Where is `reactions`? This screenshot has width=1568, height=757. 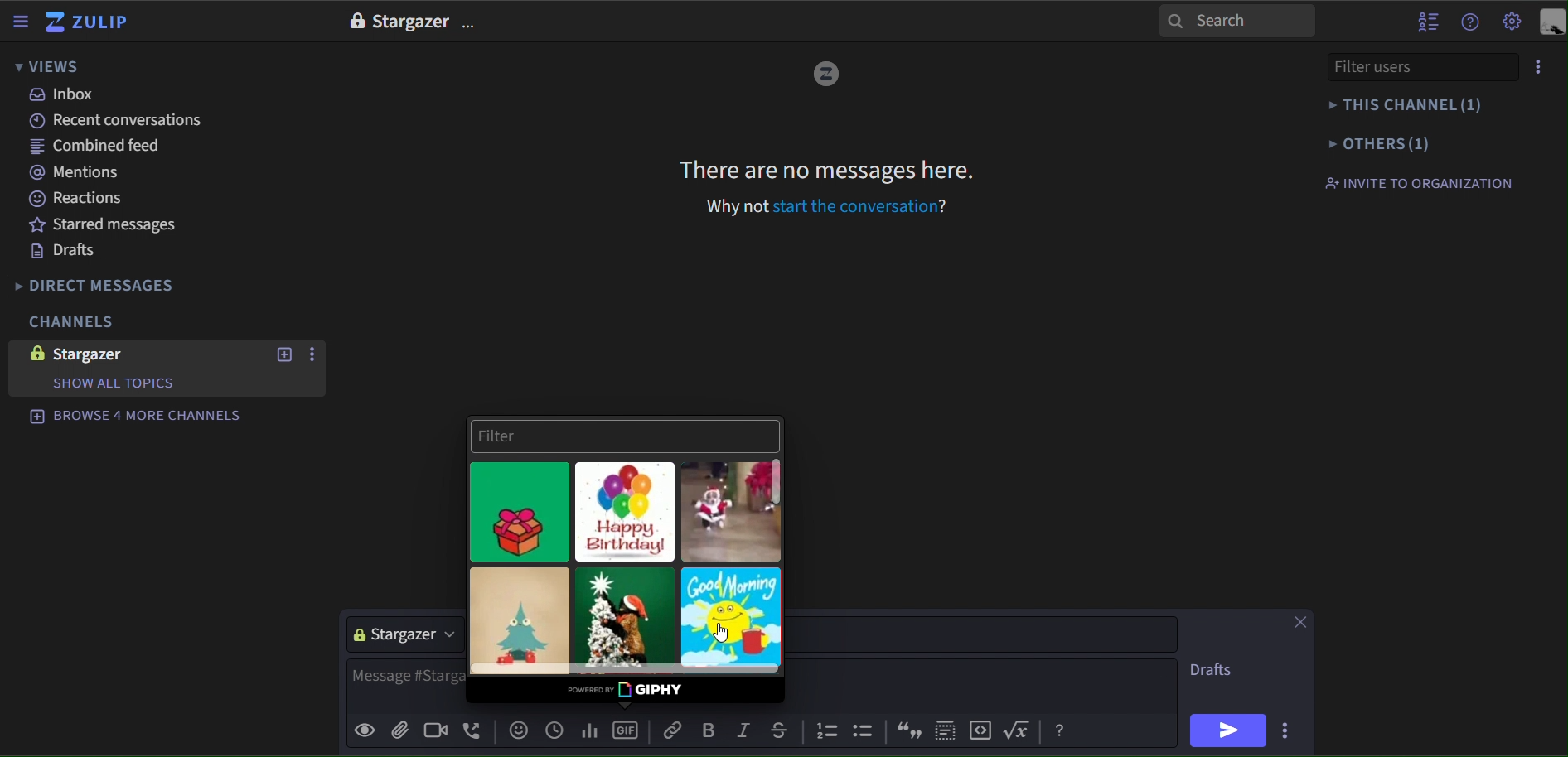 reactions is located at coordinates (88, 199).